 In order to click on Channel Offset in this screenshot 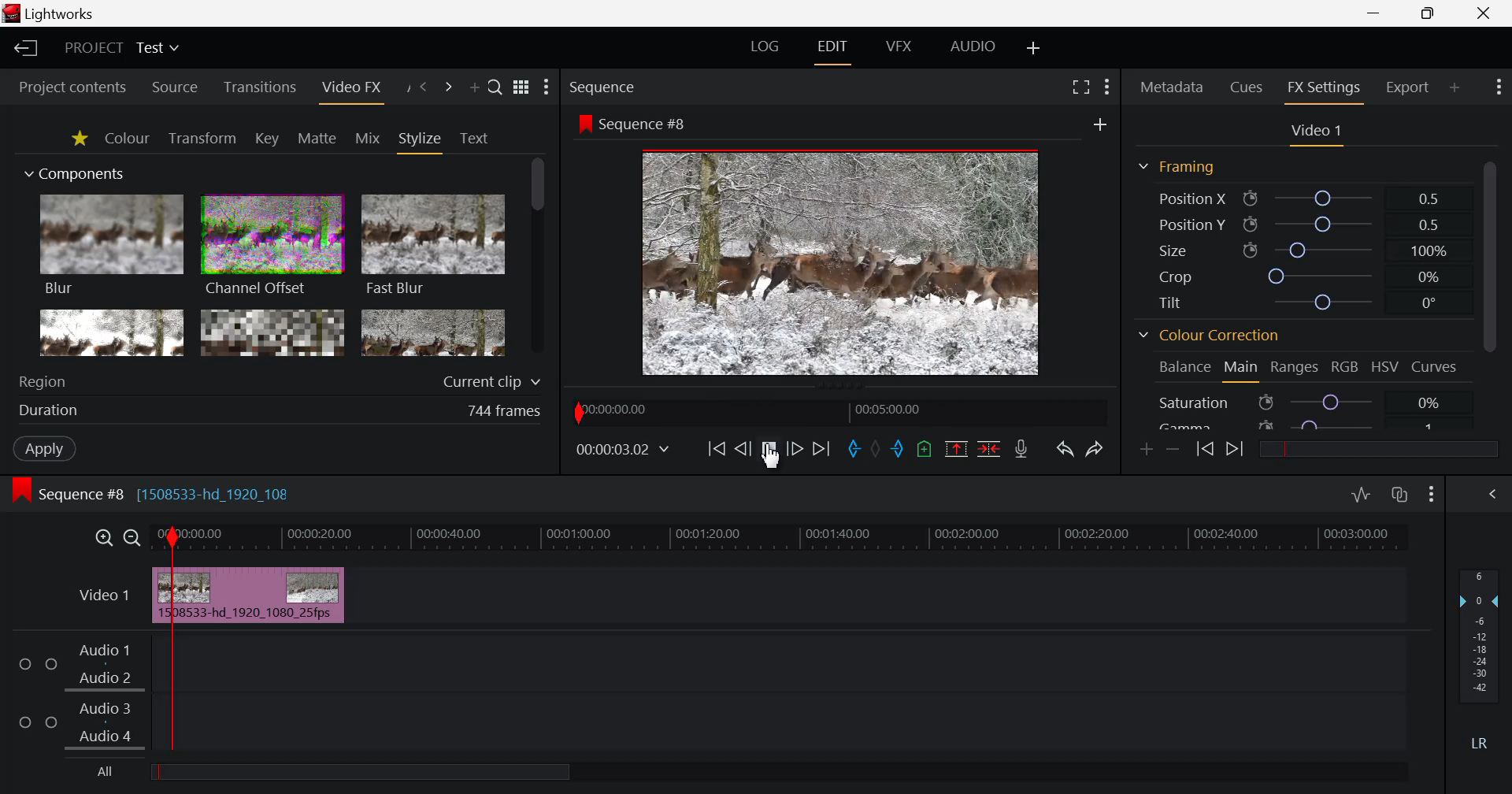, I will do `click(272, 247)`.